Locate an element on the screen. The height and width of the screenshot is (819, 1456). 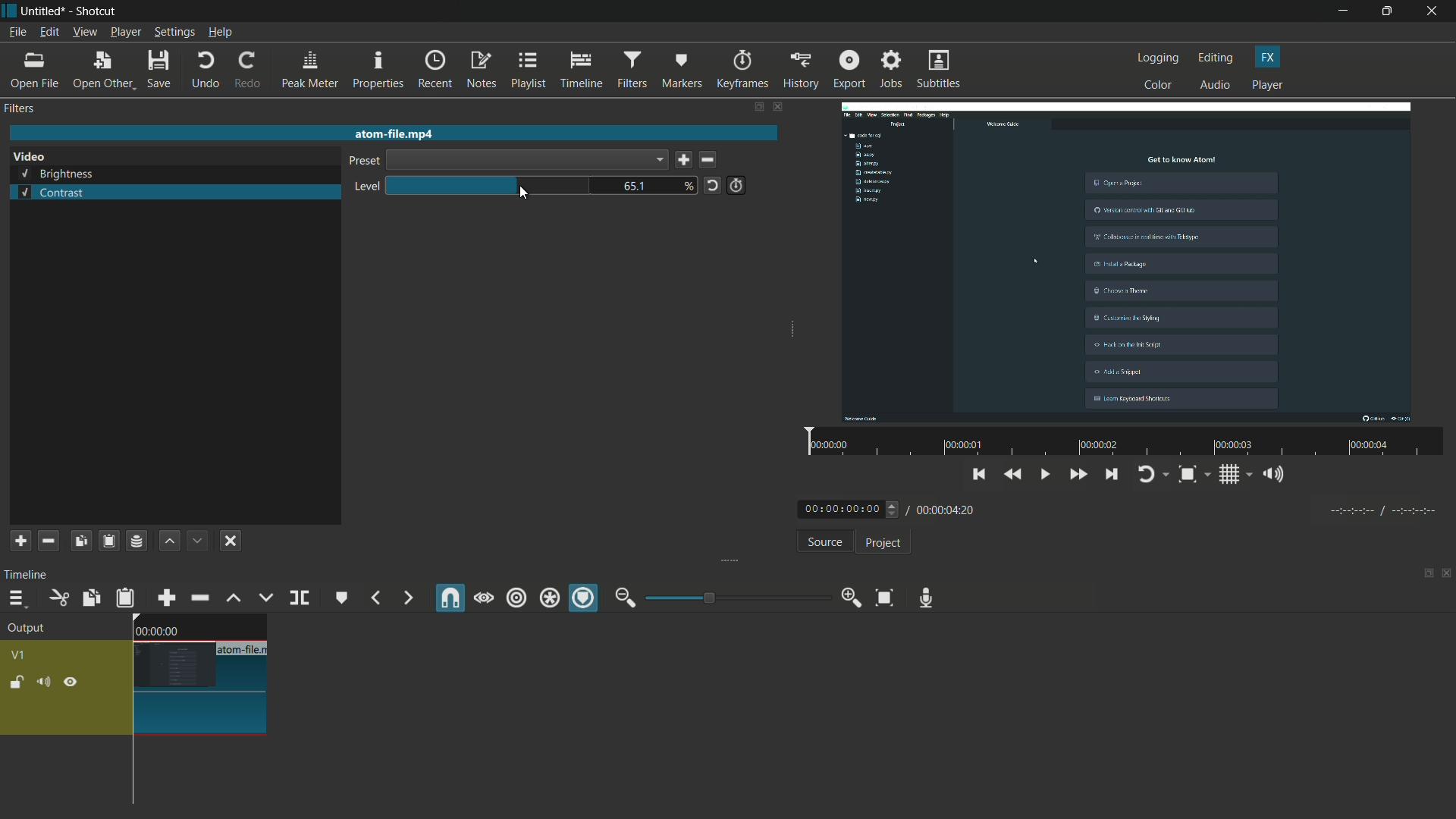
remove selected filter is located at coordinates (49, 541).